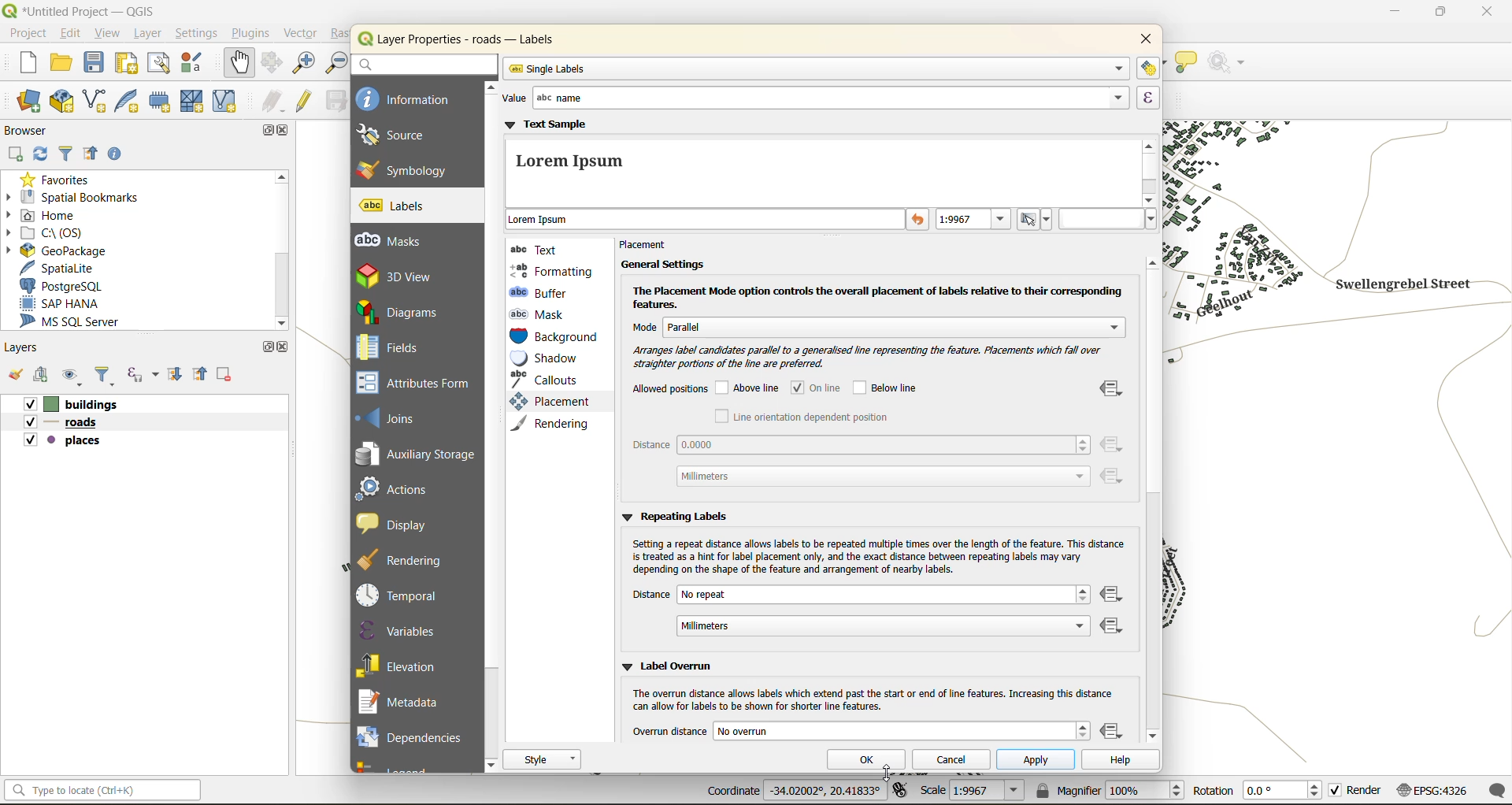 The image size is (1512, 805). Describe the element at coordinates (1493, 791) in the screenshot. I see `log messages` at that location.